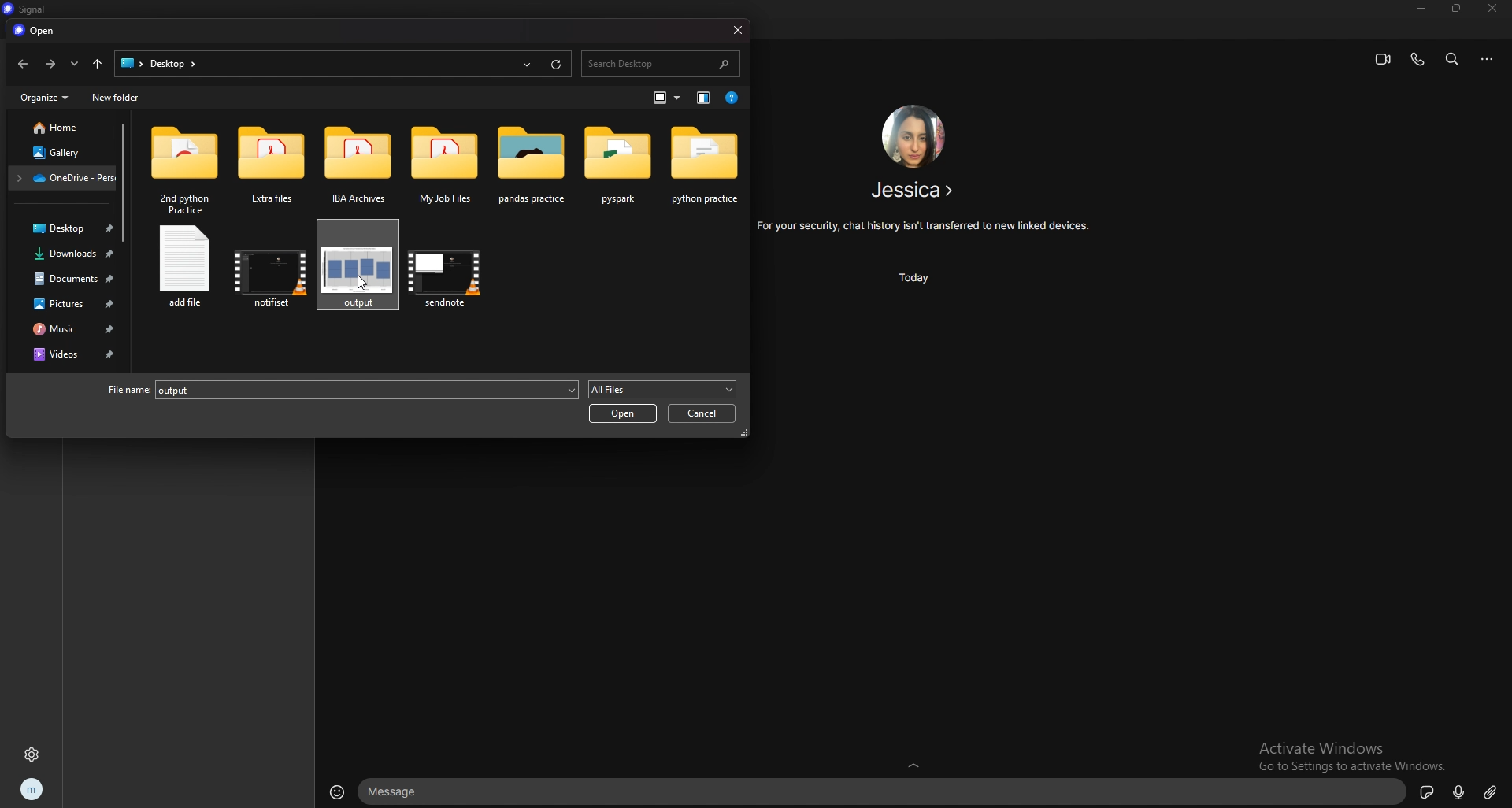 This screenshot has height=808, width=1512. What do you see at coordinates (361, 282) in the screenshot?
I see `cursor` at bounding box center [361, 282].